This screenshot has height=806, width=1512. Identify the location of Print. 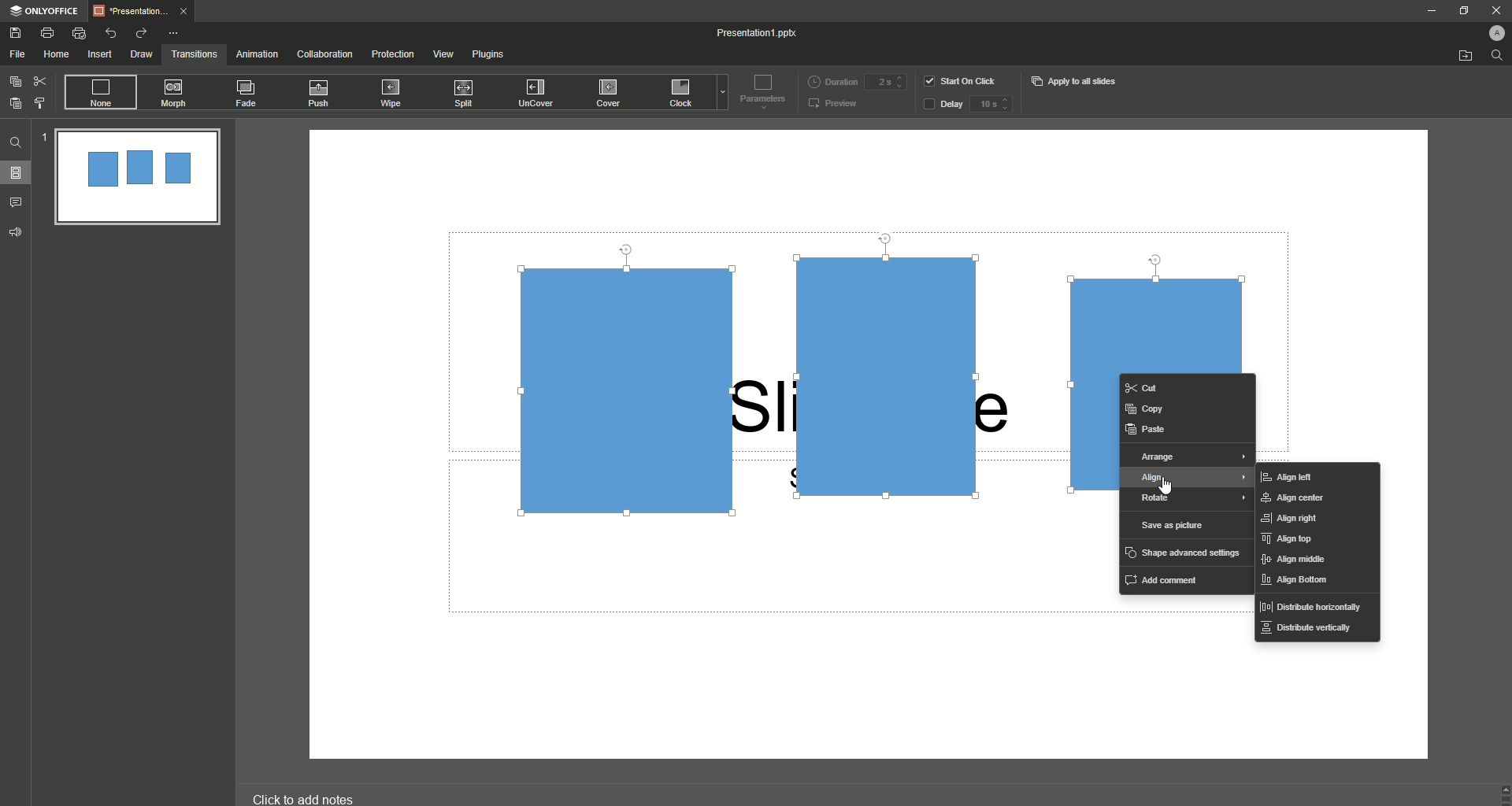
(47, 32).